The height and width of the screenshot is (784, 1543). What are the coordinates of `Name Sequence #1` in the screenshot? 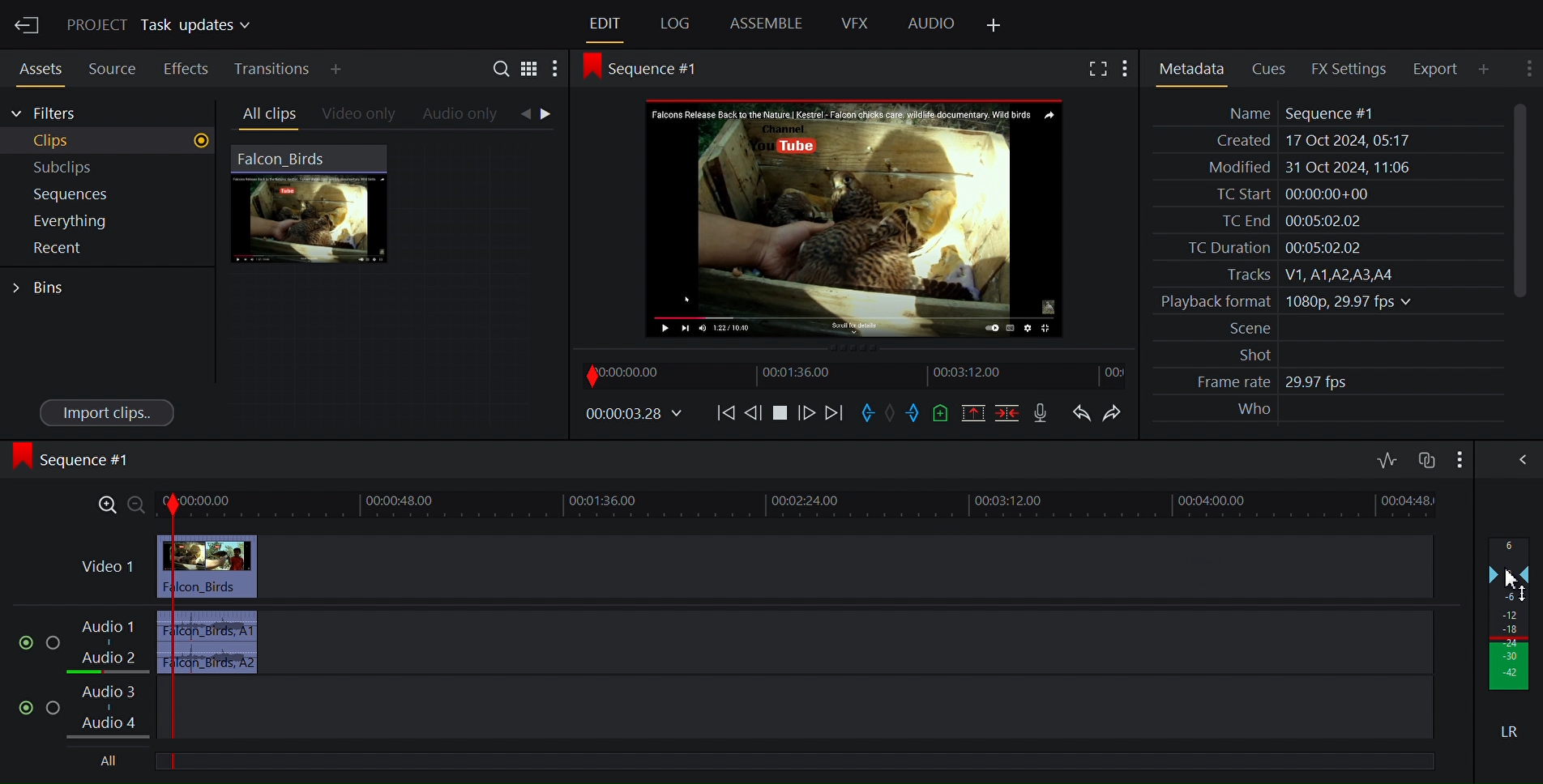 It's located at (1293, 113).